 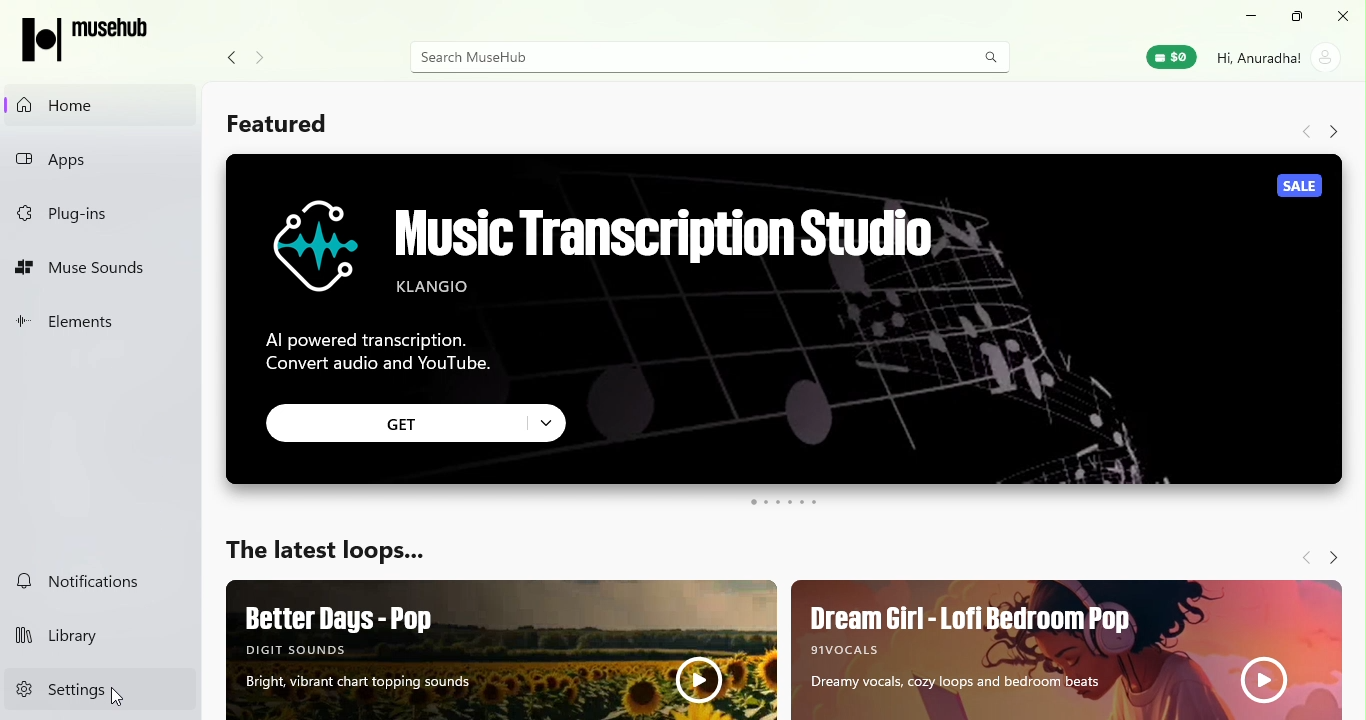 I want to click on Navigate back, so click(x=1303, y=556).